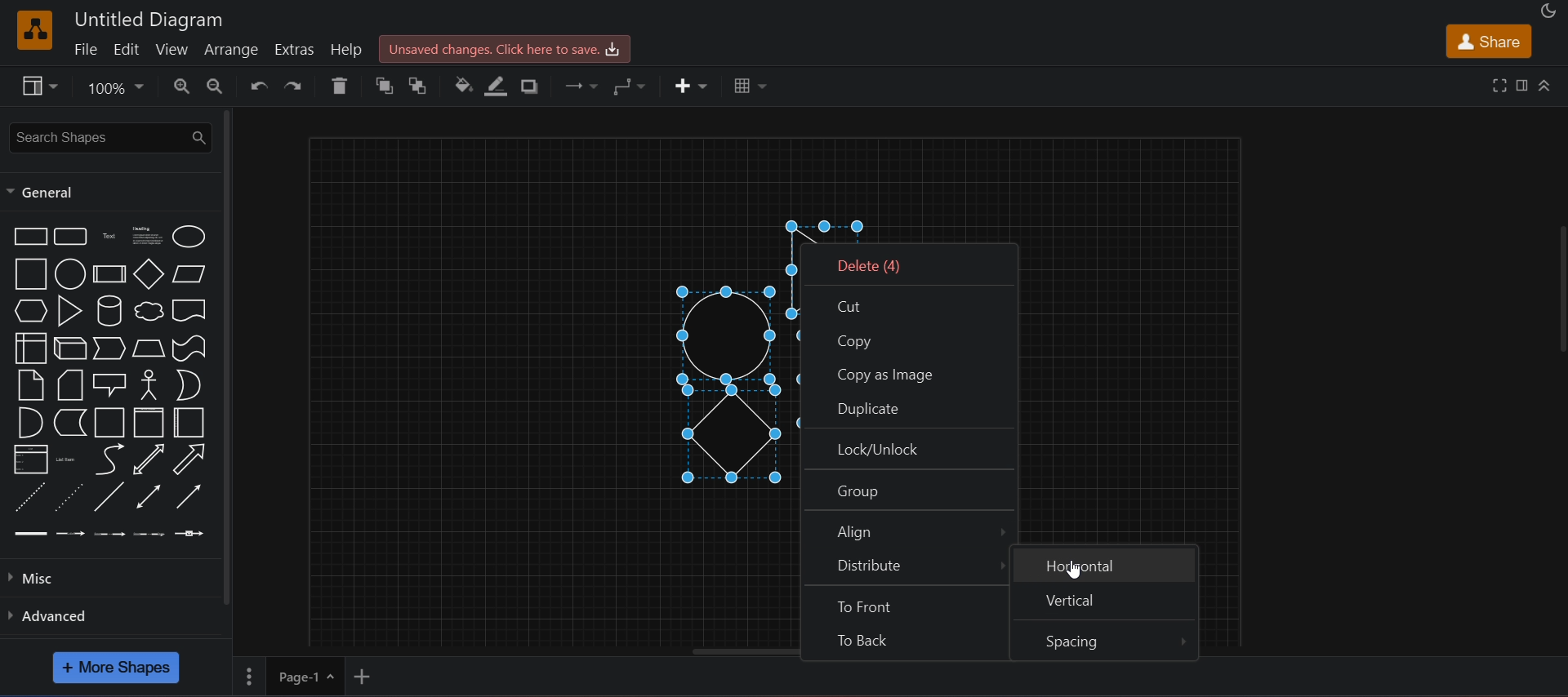 This screenshot has height=697, width=1568. Describe the element at coordinates (28, 236) in the screenshot. I see `rectangle` at that location.